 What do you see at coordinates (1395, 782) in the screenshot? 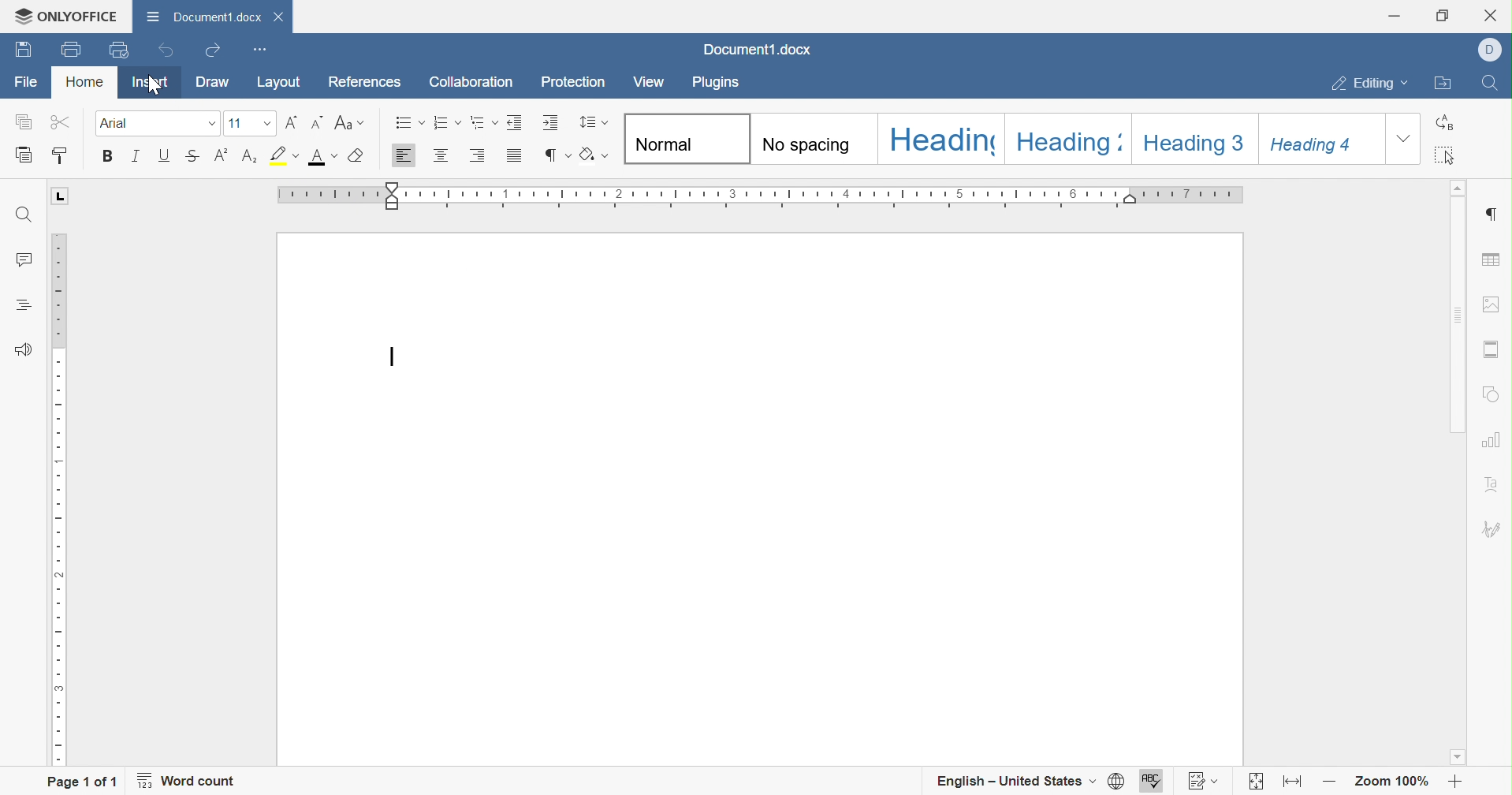
I see `Zoom 100%` at bounding box center [1395, 782].